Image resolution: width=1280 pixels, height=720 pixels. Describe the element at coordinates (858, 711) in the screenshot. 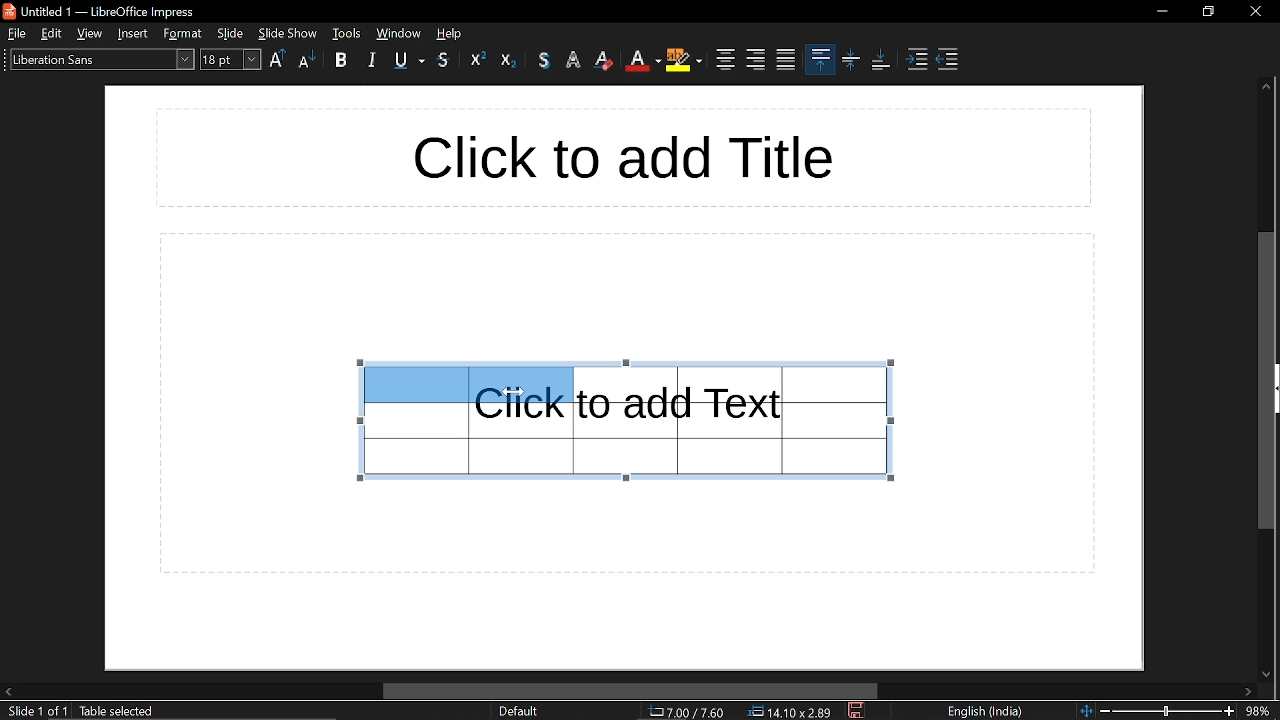

I see `save` at that location.